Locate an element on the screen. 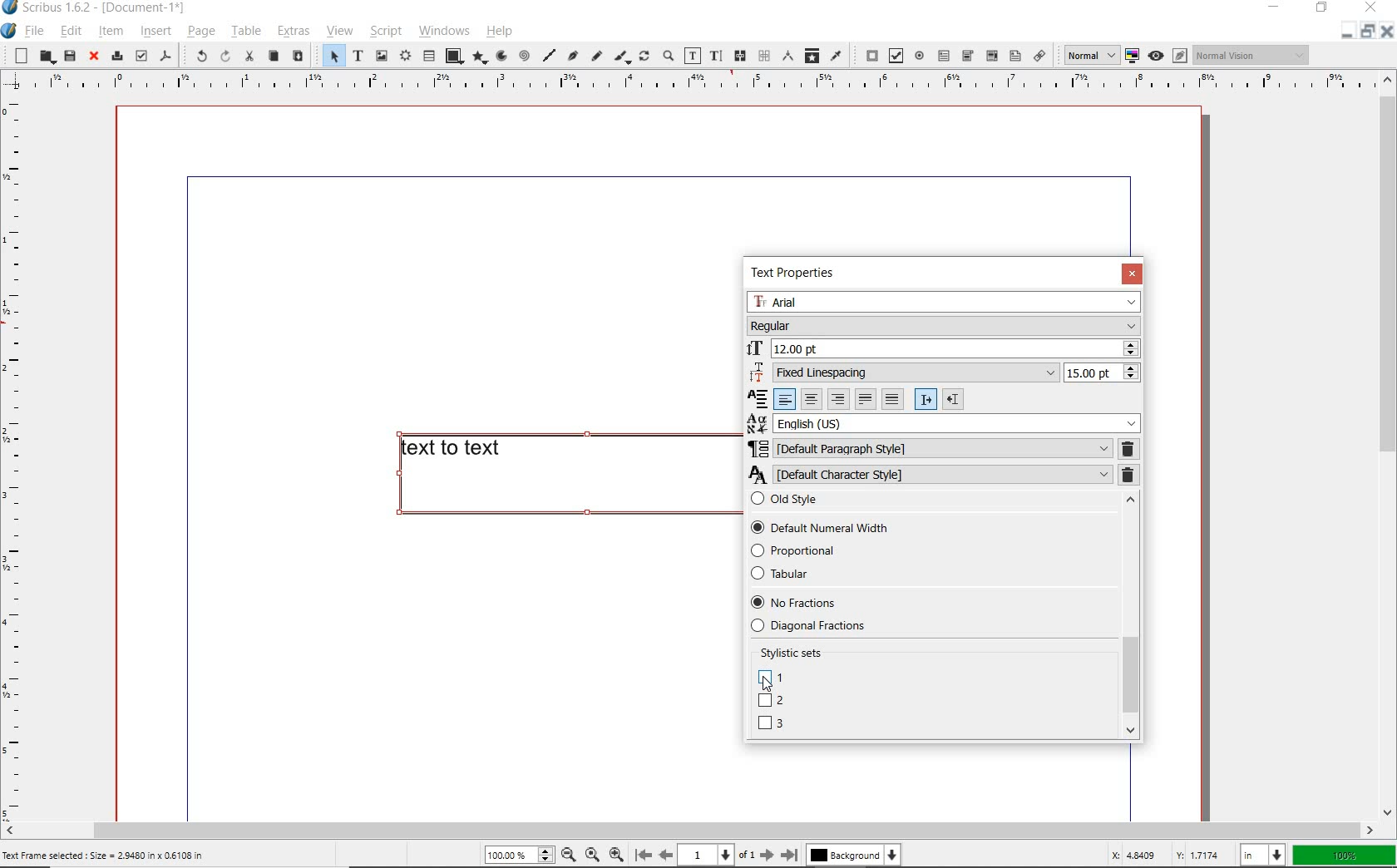 The width and height of the screenshot is (1397, 868). Background is located at coordinates (855, 856).